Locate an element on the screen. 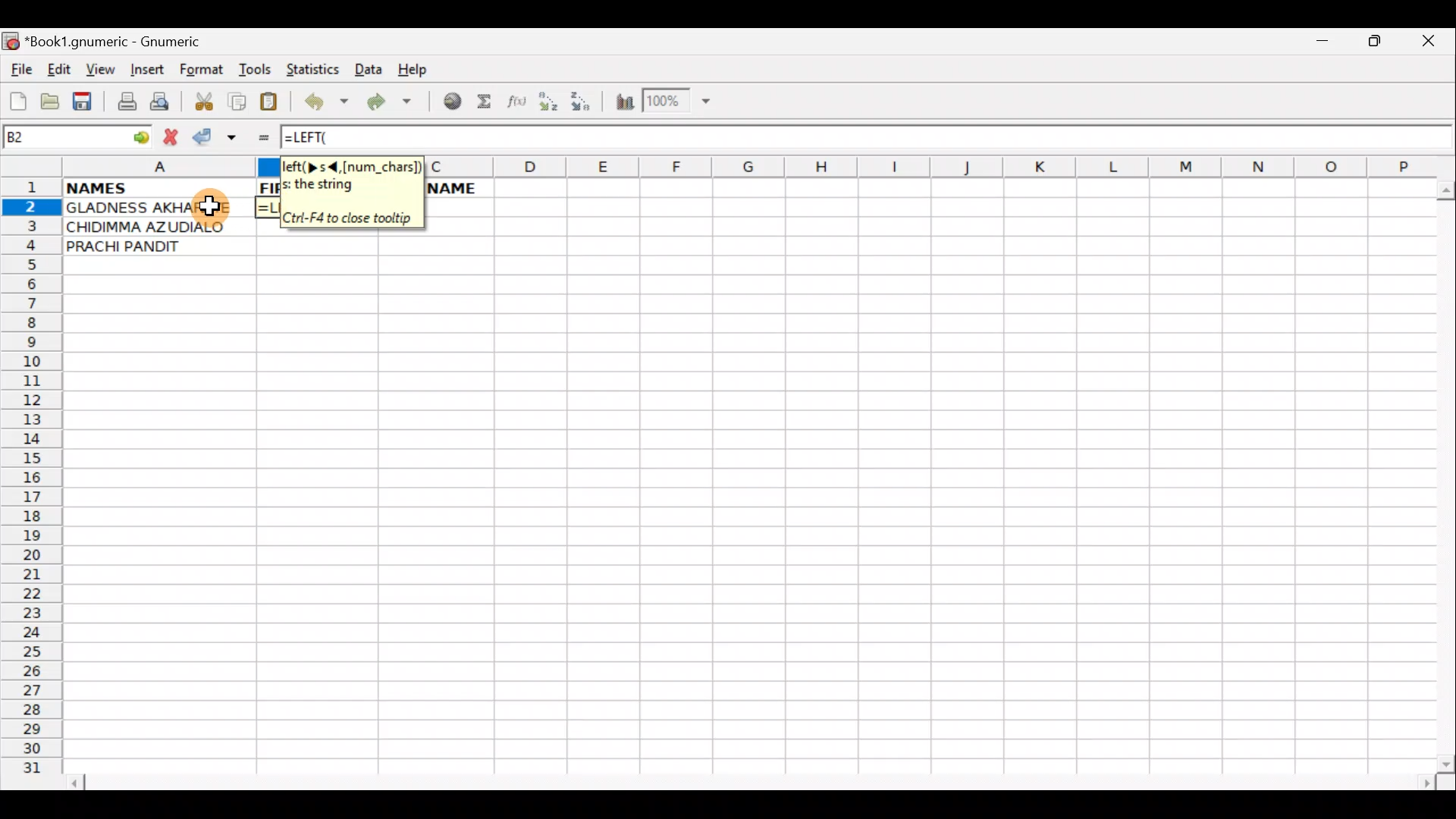  File is located at coordinates (20, 71).